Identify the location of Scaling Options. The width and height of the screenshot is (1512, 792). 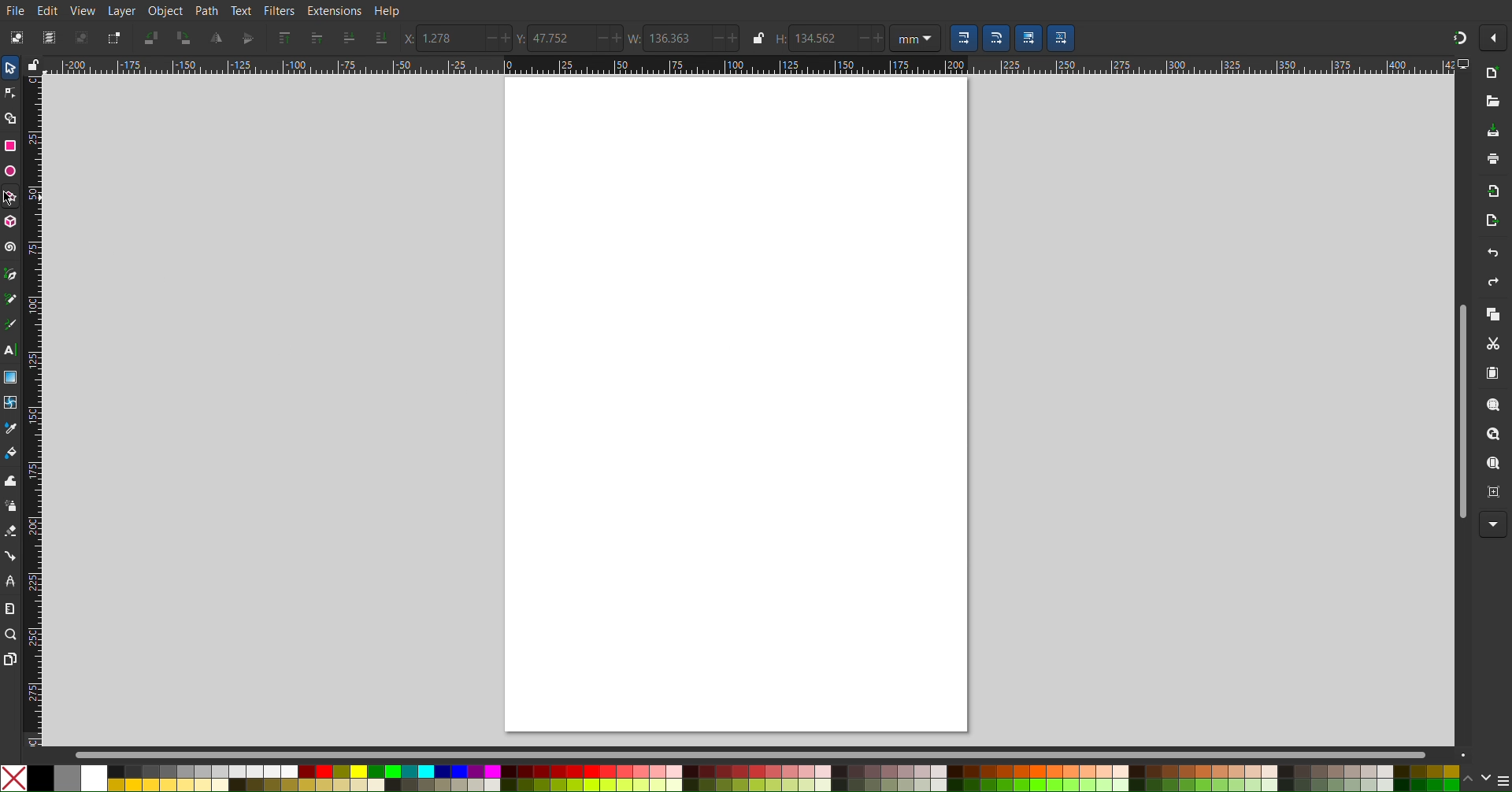
(1028, 39).